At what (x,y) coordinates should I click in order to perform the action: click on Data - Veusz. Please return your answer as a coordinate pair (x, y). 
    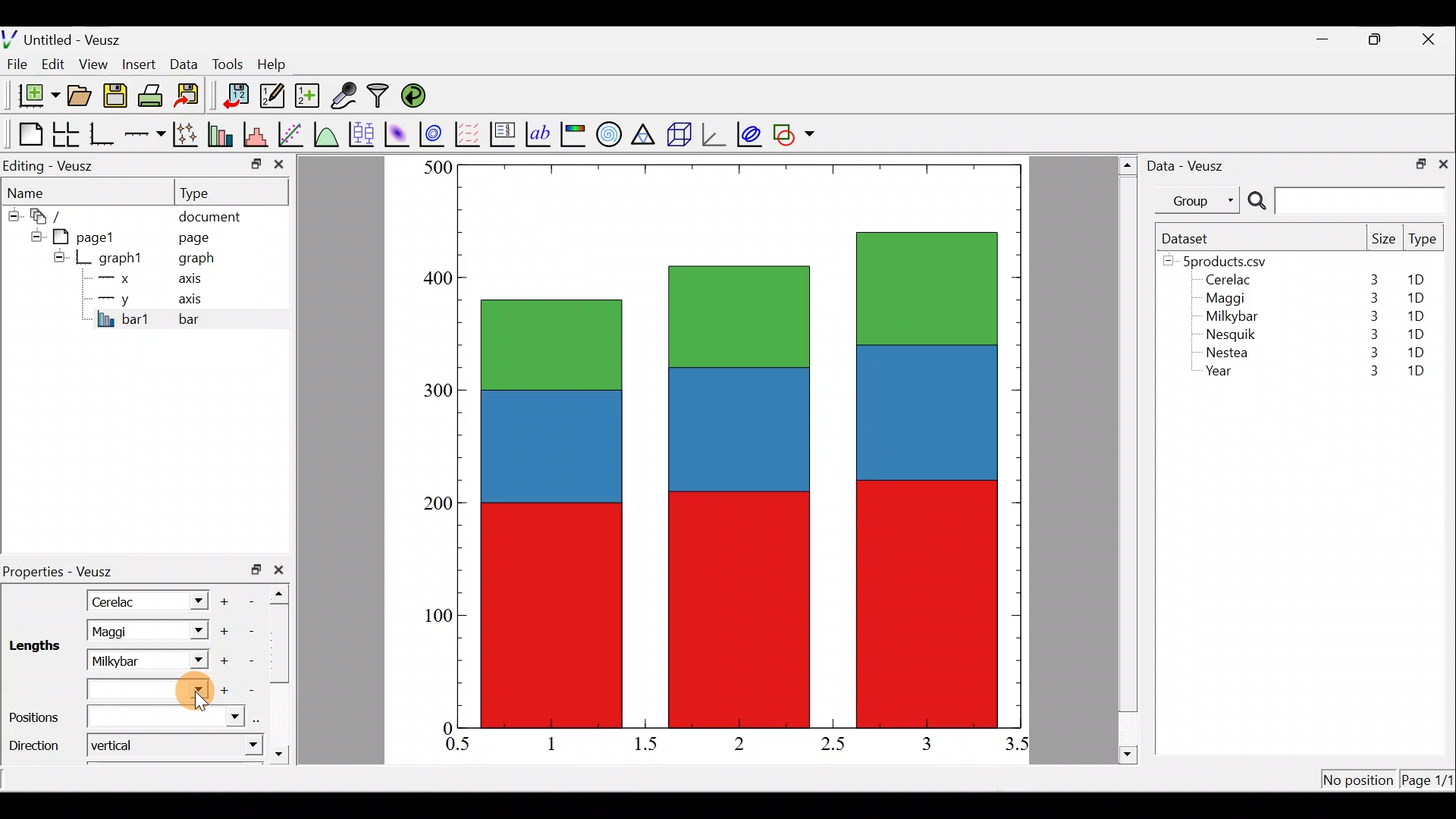
    Looking at the image, I should click on (1189, 164).